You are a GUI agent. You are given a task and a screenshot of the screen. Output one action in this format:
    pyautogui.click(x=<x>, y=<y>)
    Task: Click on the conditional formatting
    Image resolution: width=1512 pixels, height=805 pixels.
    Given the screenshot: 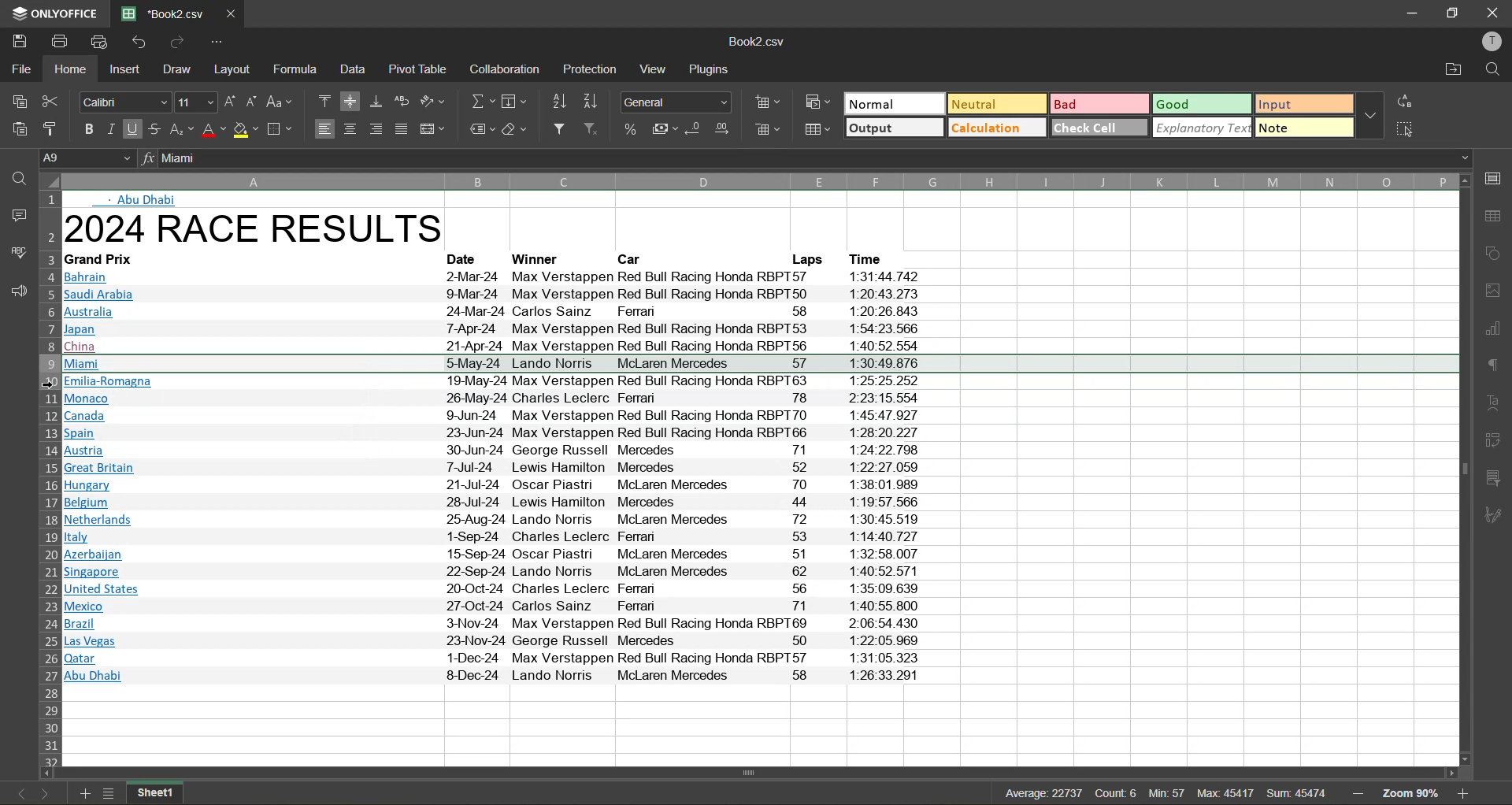 What is the action you would take?
    pyautogui.click(x=817, y=103)
    